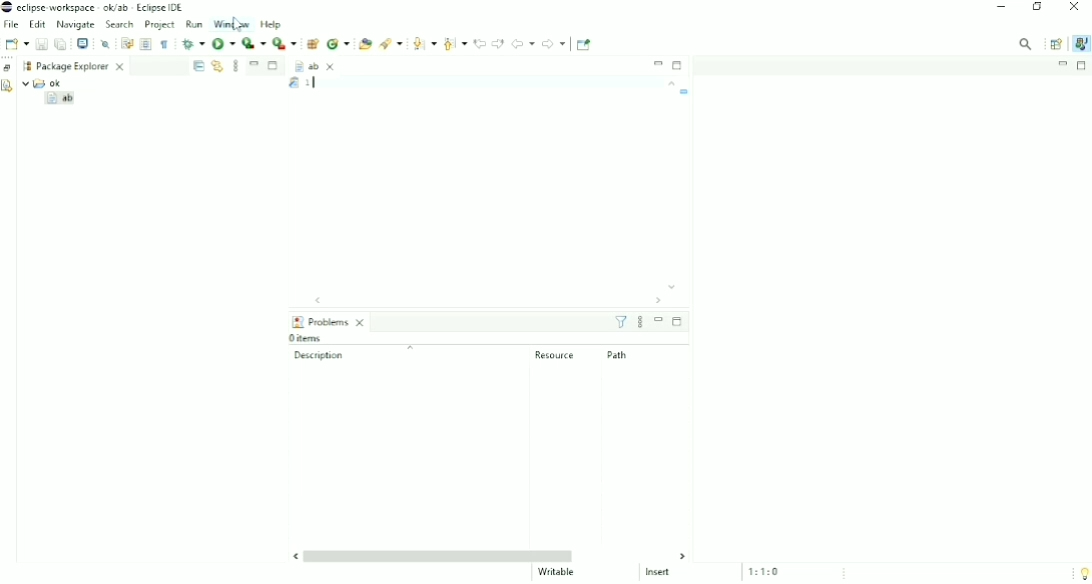  I want to click on Minimize, so click(1062, 64).